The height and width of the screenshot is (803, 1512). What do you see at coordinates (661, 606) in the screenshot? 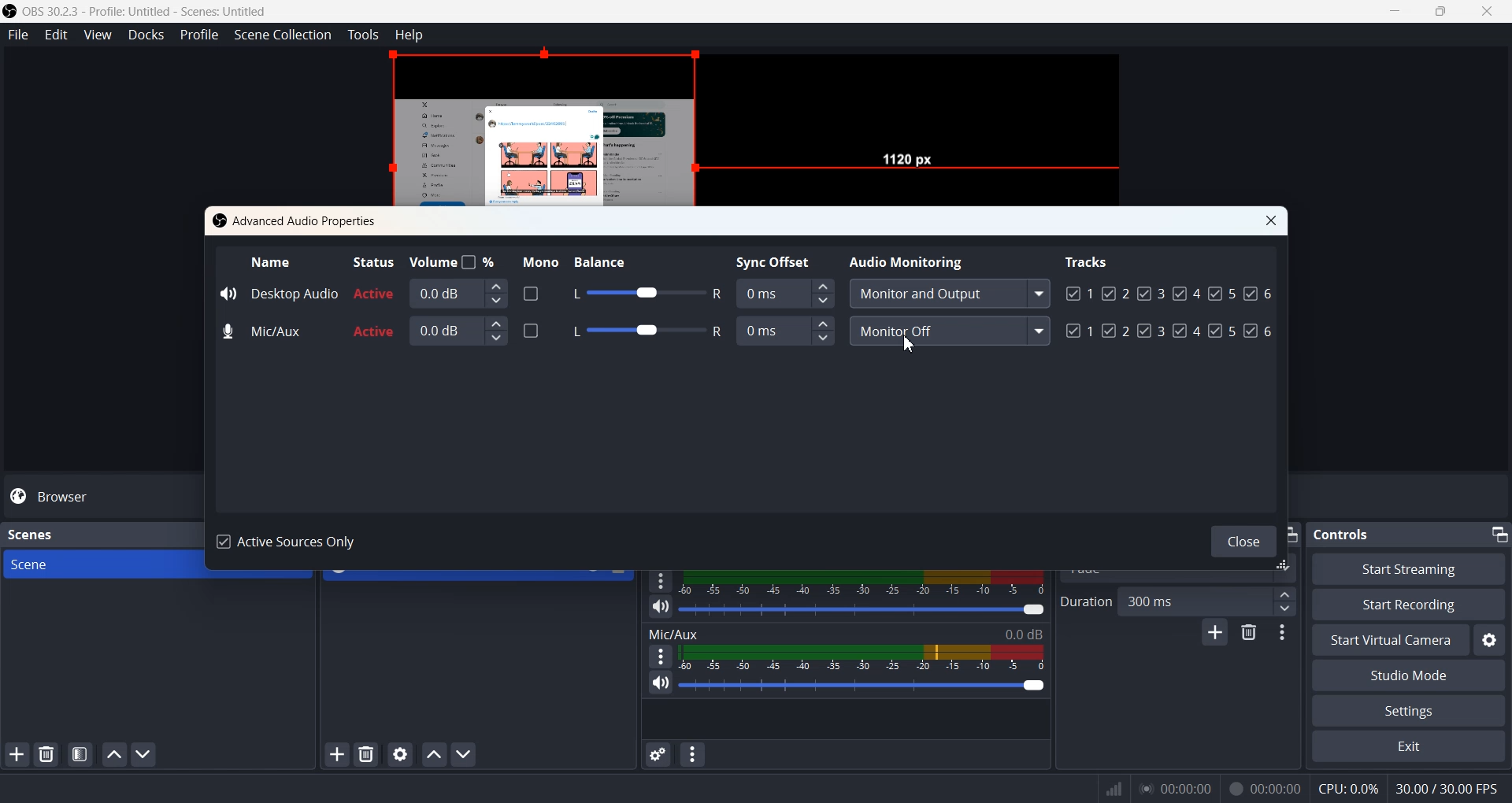
I see `Mute / Unmute` at bounding box center [661, 606].